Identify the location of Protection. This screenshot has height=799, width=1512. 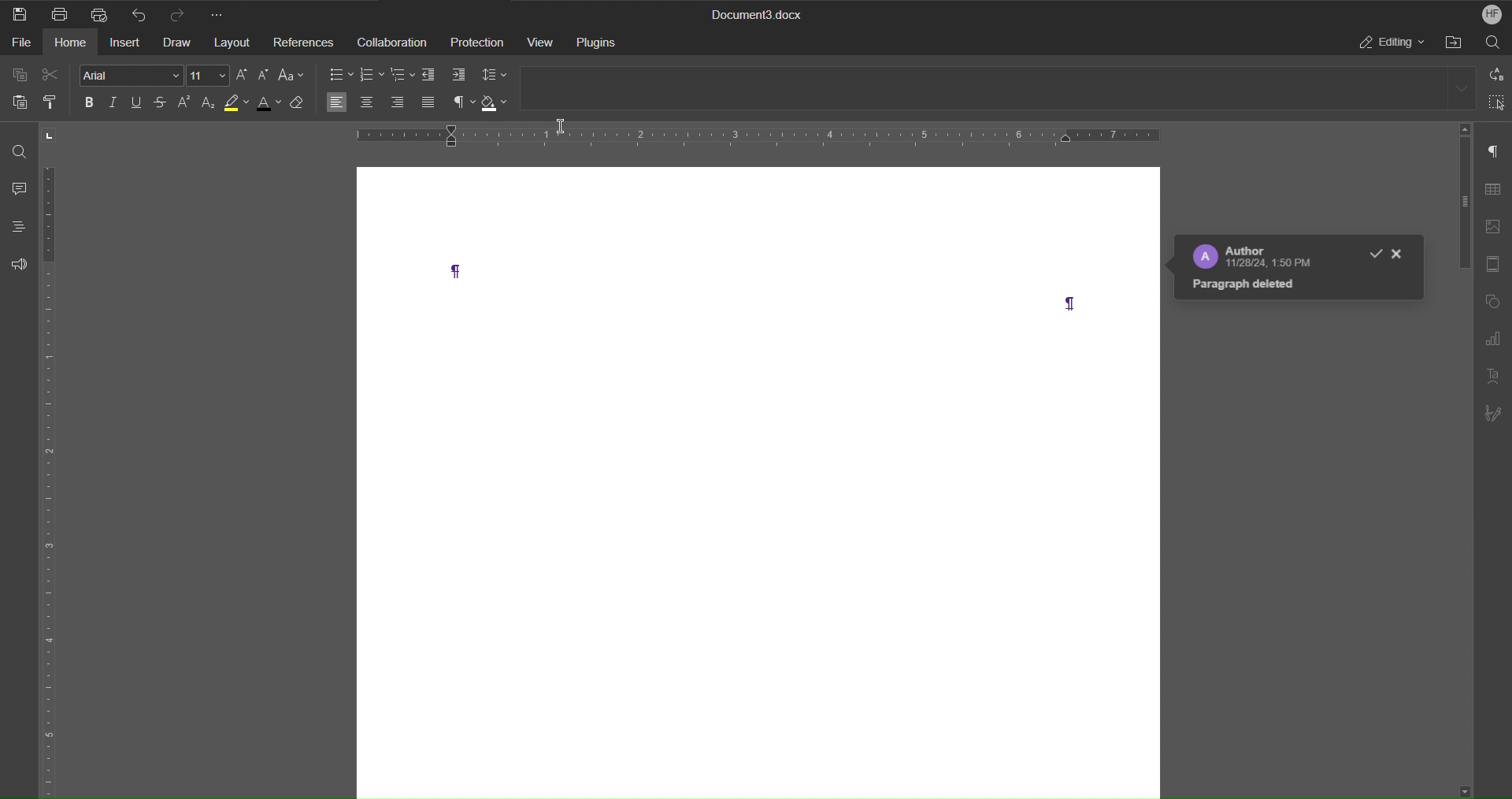
(480, 42).